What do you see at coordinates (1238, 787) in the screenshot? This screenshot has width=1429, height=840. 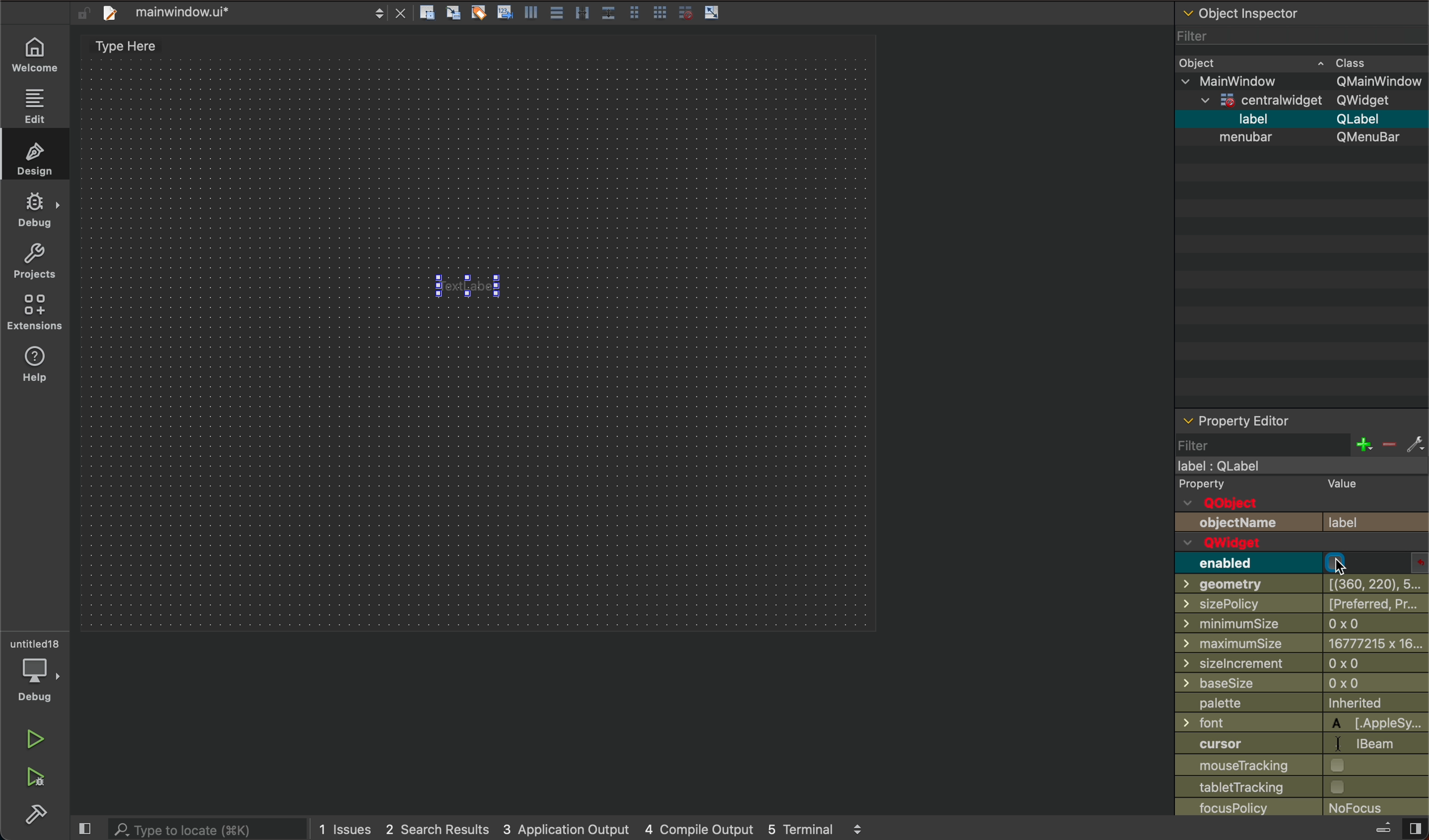 I see `tabletTracking` at bounding box center [1238, 787].